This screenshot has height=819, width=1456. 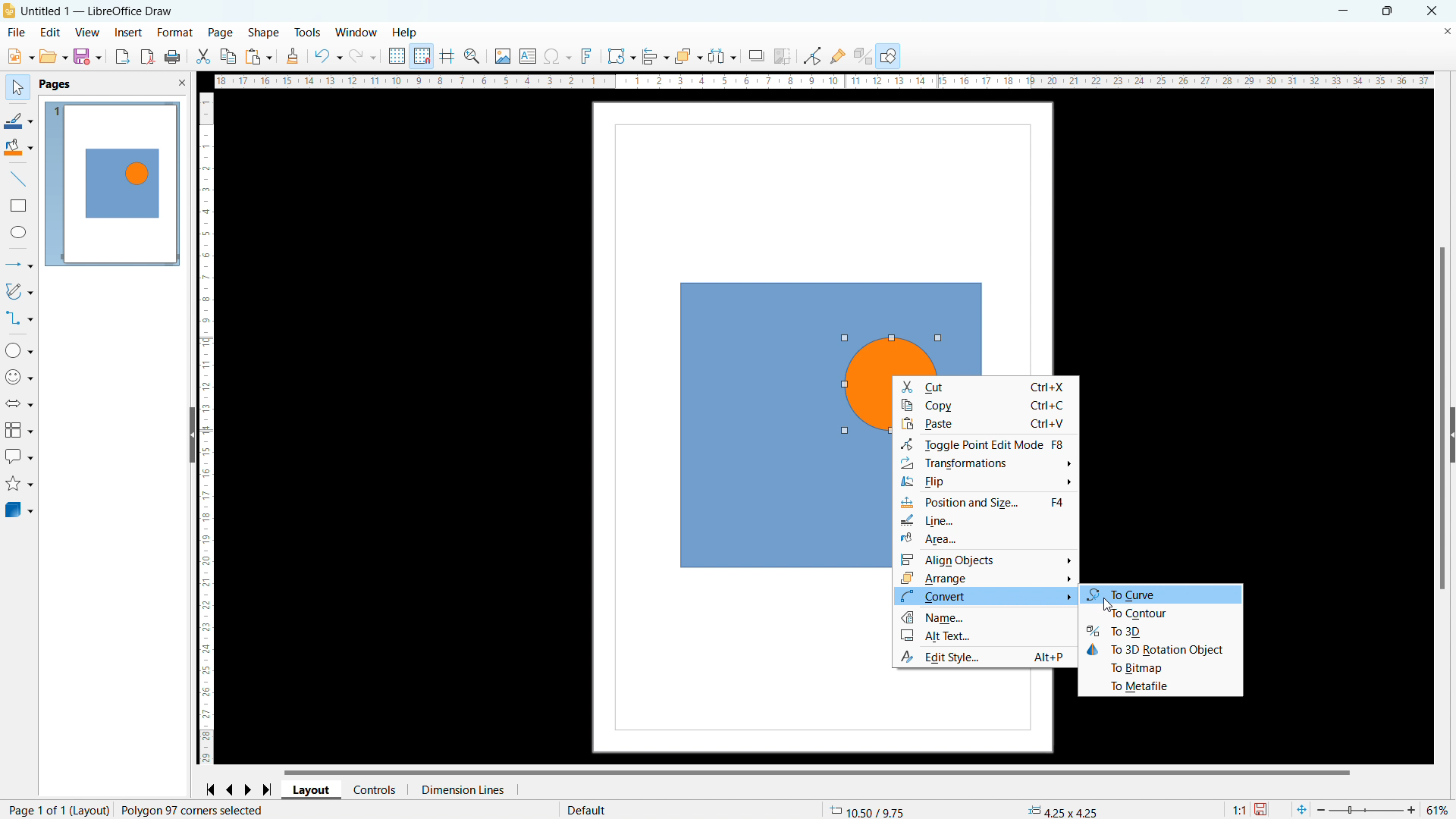 What do you see at coordinates (49, 32) in the screenshot?
I see `edit` at bounding box center [49, 32].